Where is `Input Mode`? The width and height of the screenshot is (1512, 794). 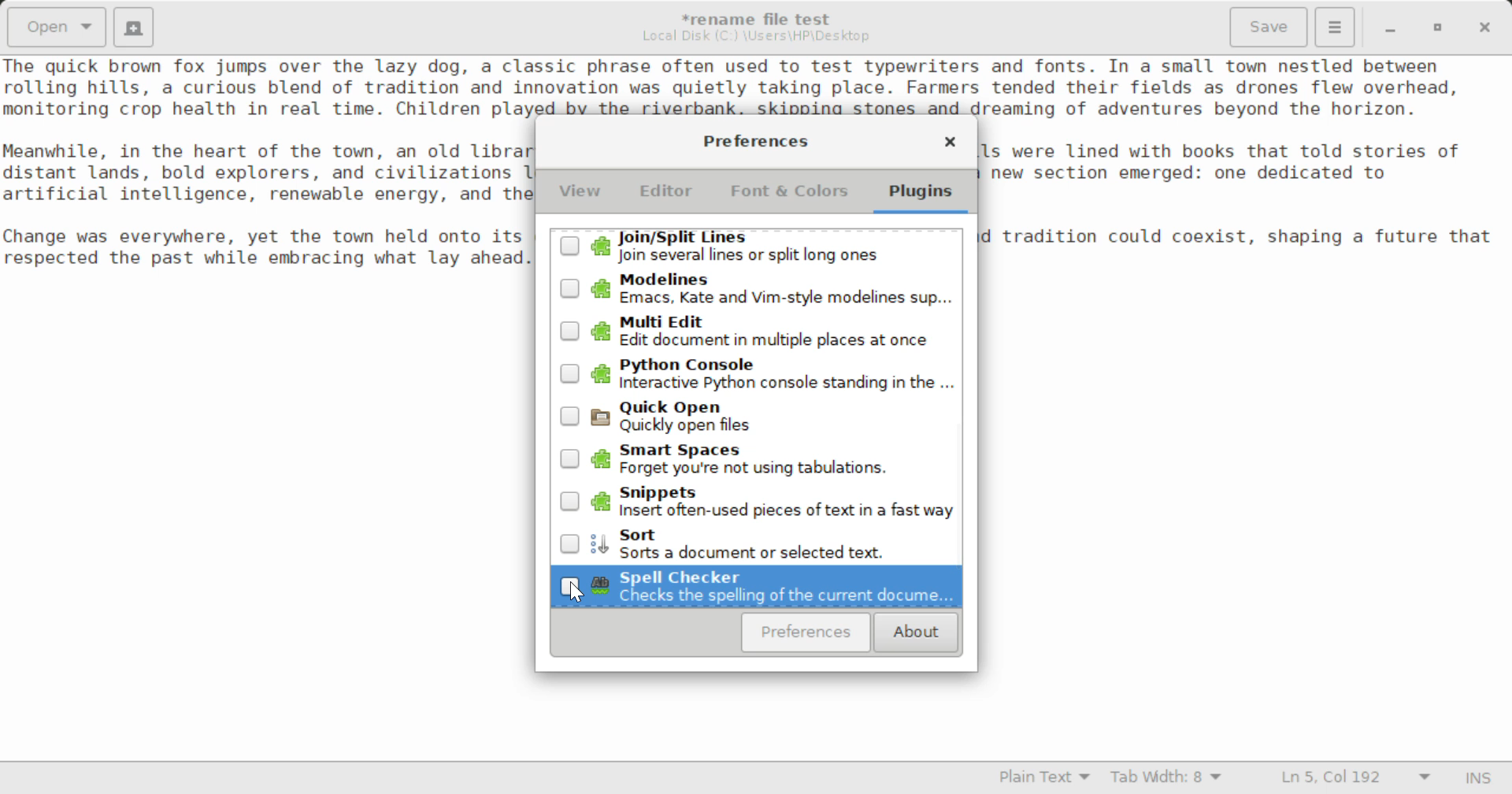 Input Mode is located at coordinates (1478, 780).